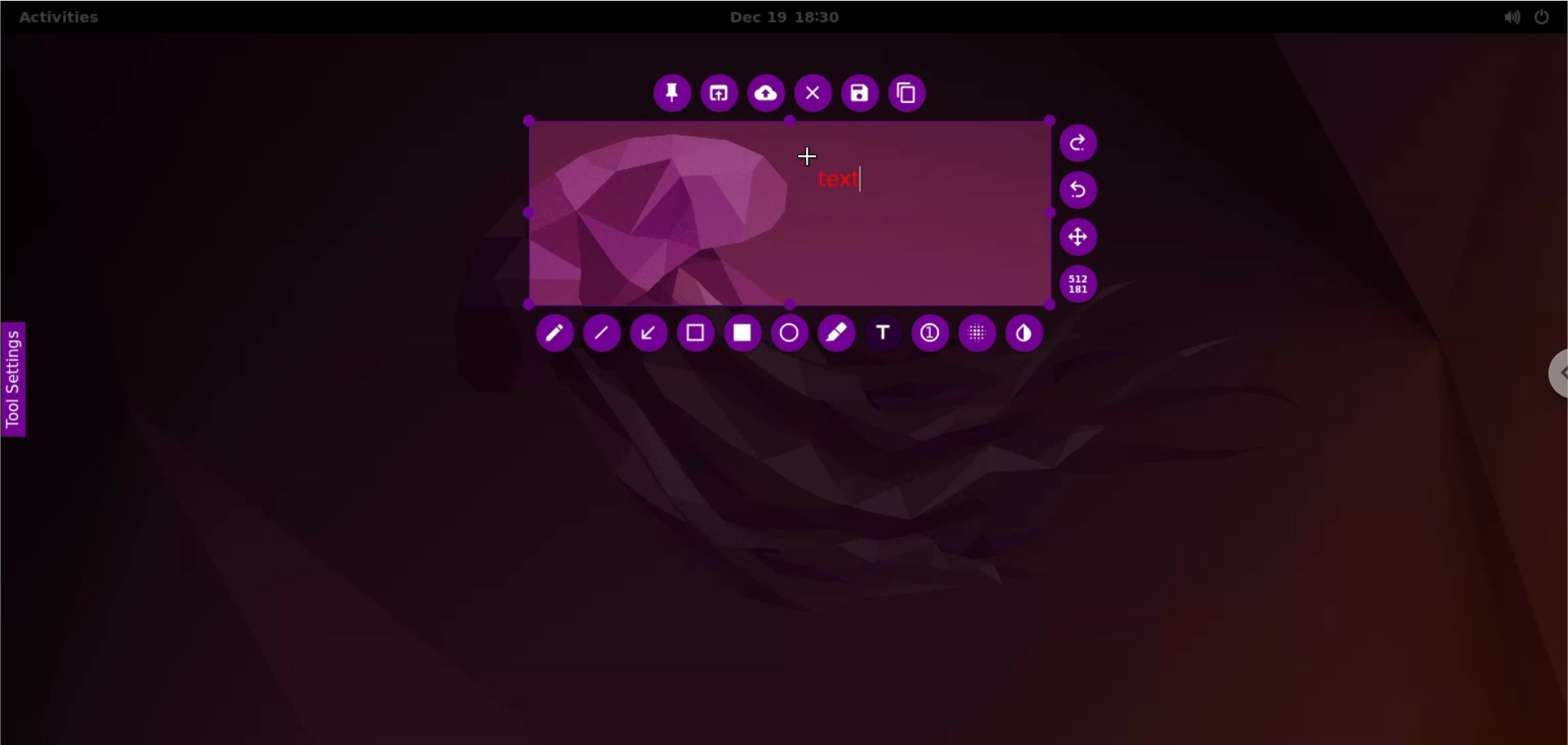 The height and width of the screenshot is (745, 1568). What do you see at coordinates (1552, 373) in the screenshot?
I see `chrome options` at bounding box center [1552, 373].